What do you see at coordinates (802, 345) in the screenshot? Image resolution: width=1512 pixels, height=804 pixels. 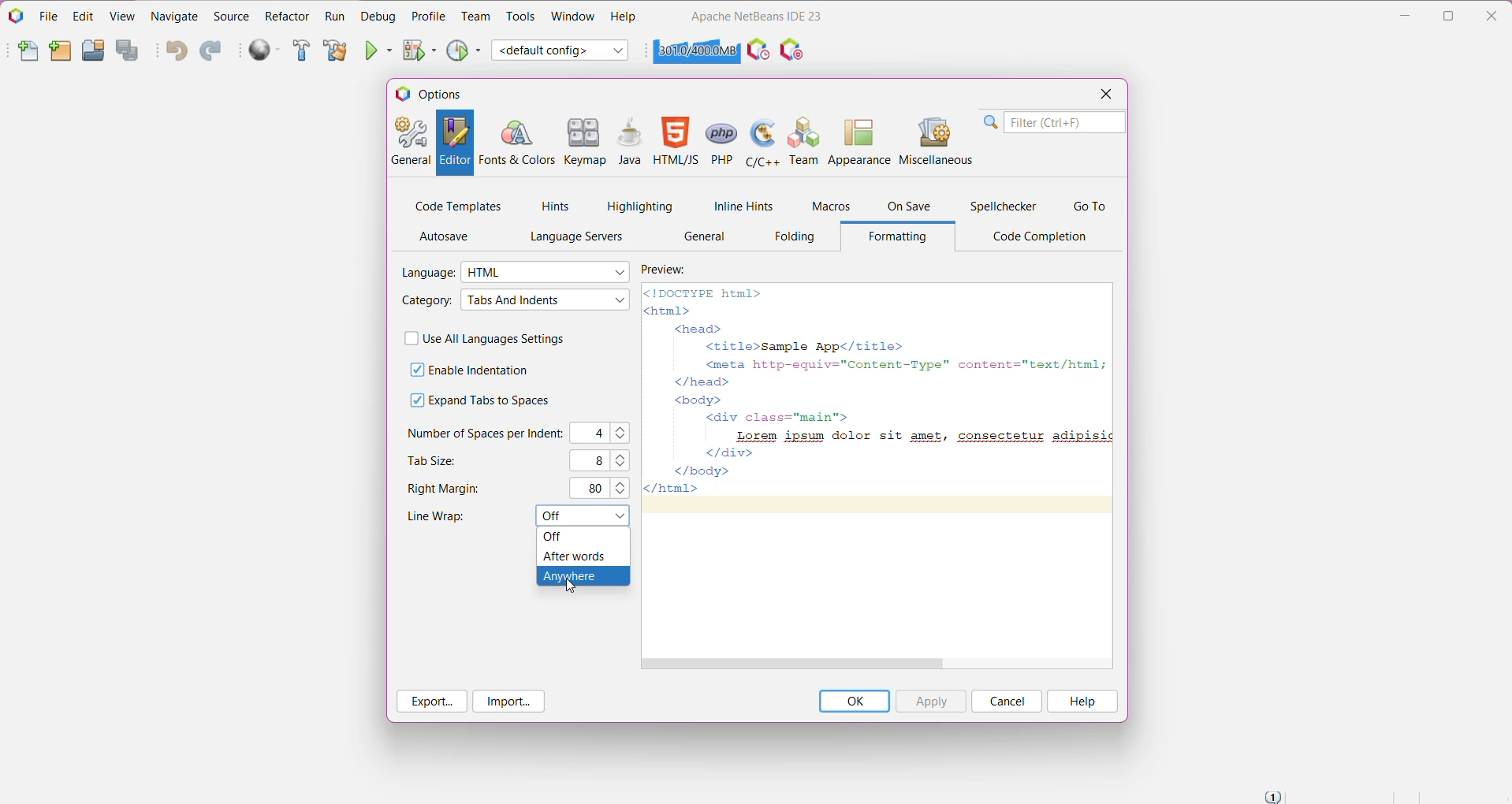 I see `<title>Sample App</title>` at bounding box center [802, 345].